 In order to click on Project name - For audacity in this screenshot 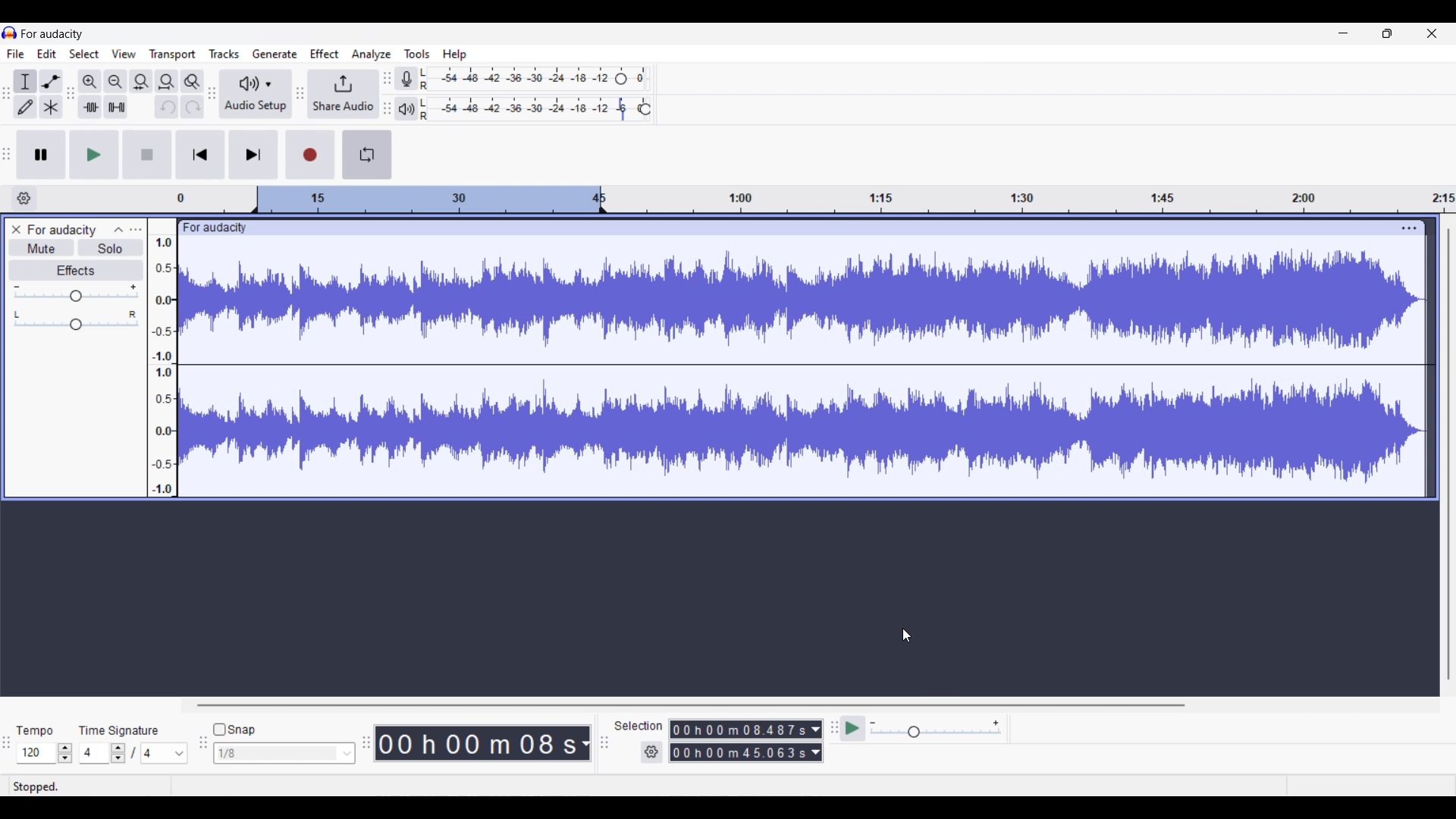, I will do `click(53, 34)`.